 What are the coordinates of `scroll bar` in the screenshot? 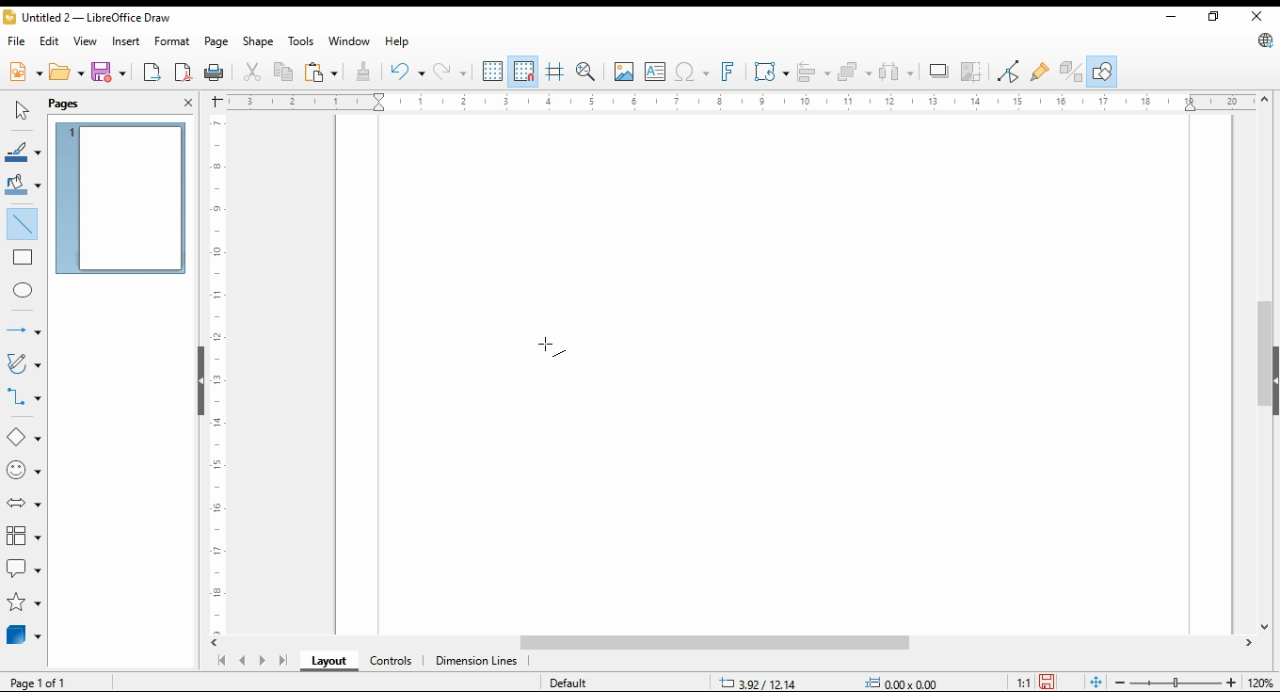 It's located at (1264, 363).